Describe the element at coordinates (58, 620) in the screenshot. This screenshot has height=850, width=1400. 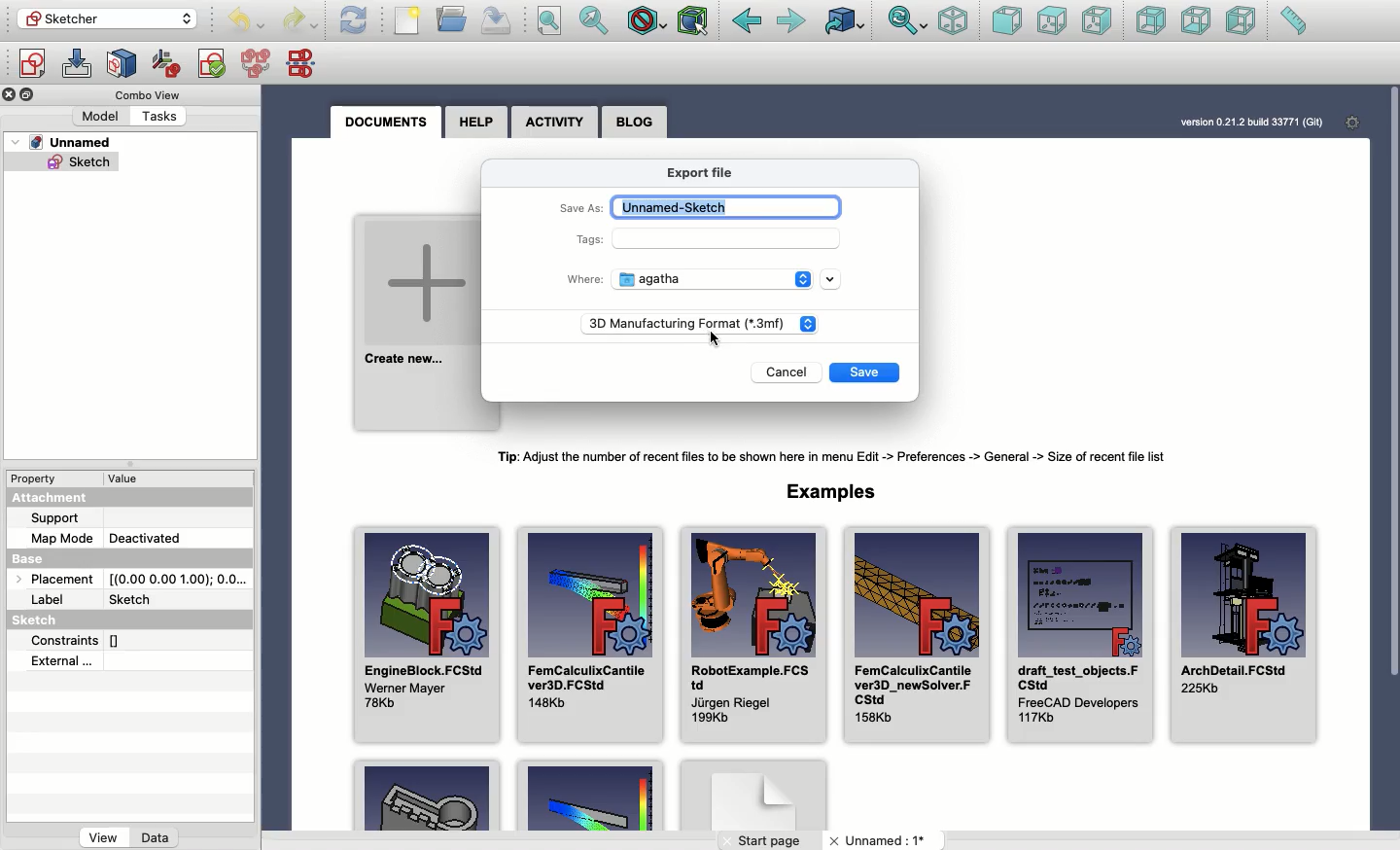
I see `Sketch` at that location.